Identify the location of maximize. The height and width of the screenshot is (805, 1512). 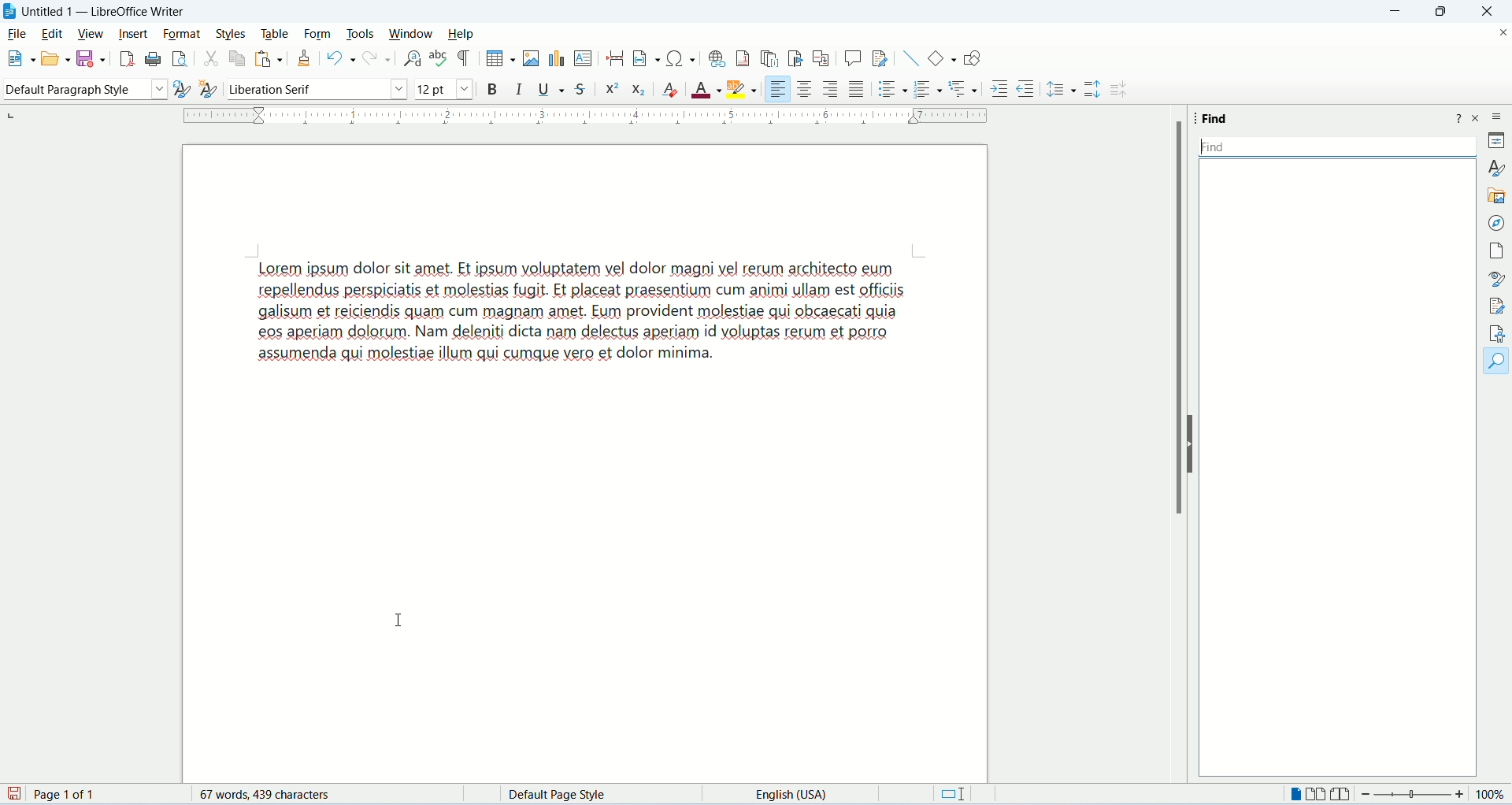
(1442, 14).